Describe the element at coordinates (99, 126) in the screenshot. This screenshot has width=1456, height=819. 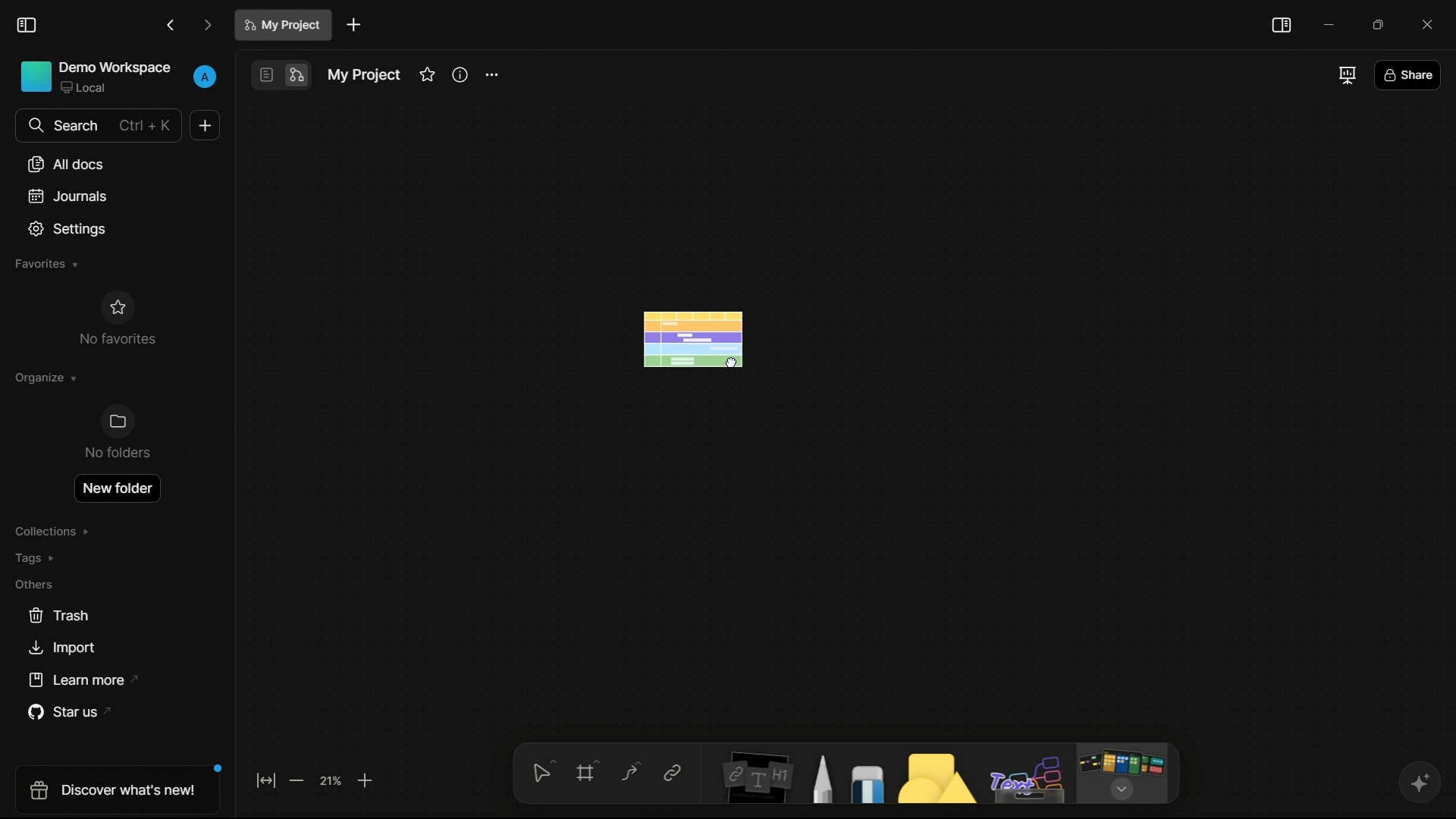
I see `search bar` at that location.